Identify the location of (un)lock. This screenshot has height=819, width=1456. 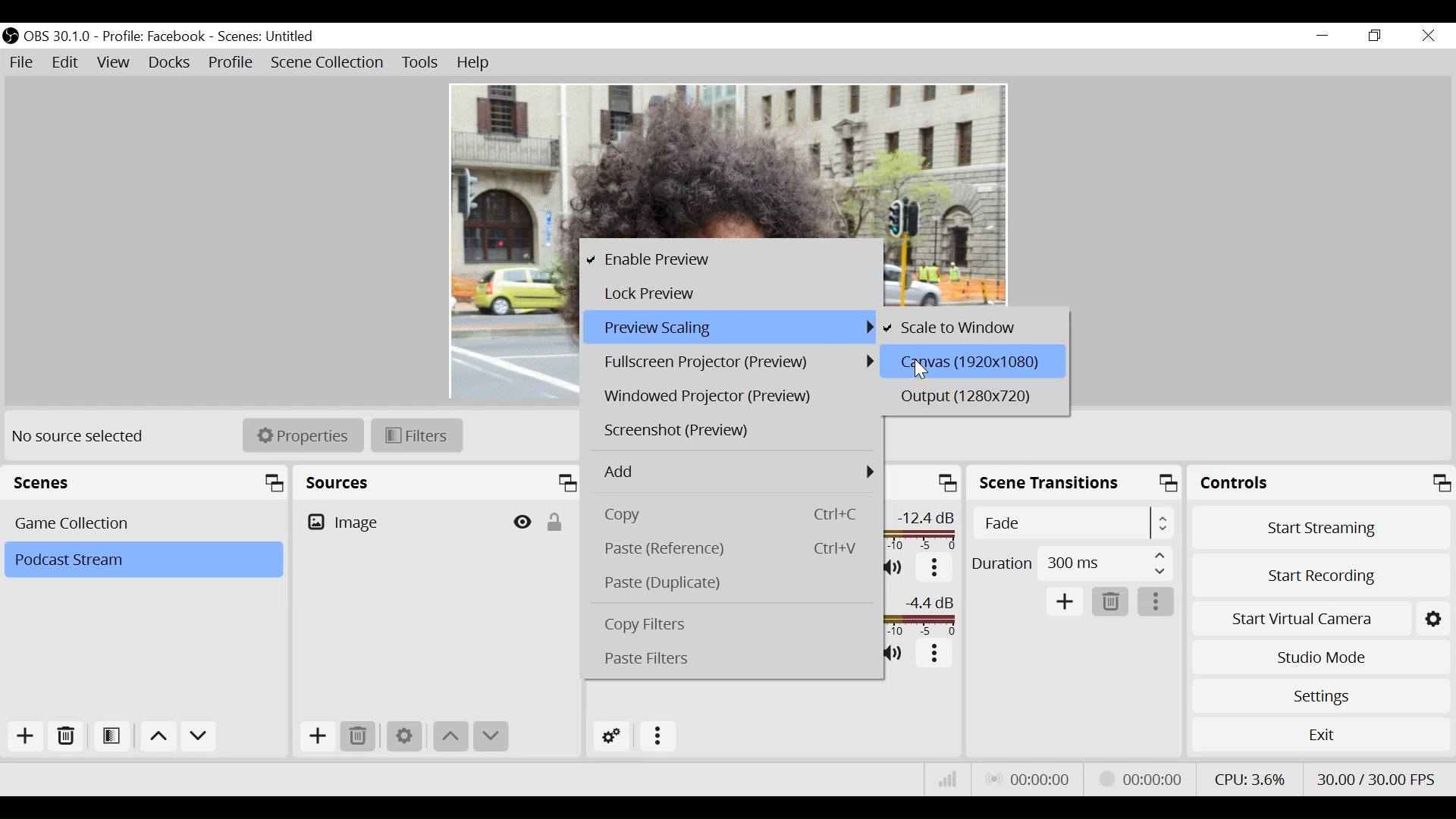
(553, 522).